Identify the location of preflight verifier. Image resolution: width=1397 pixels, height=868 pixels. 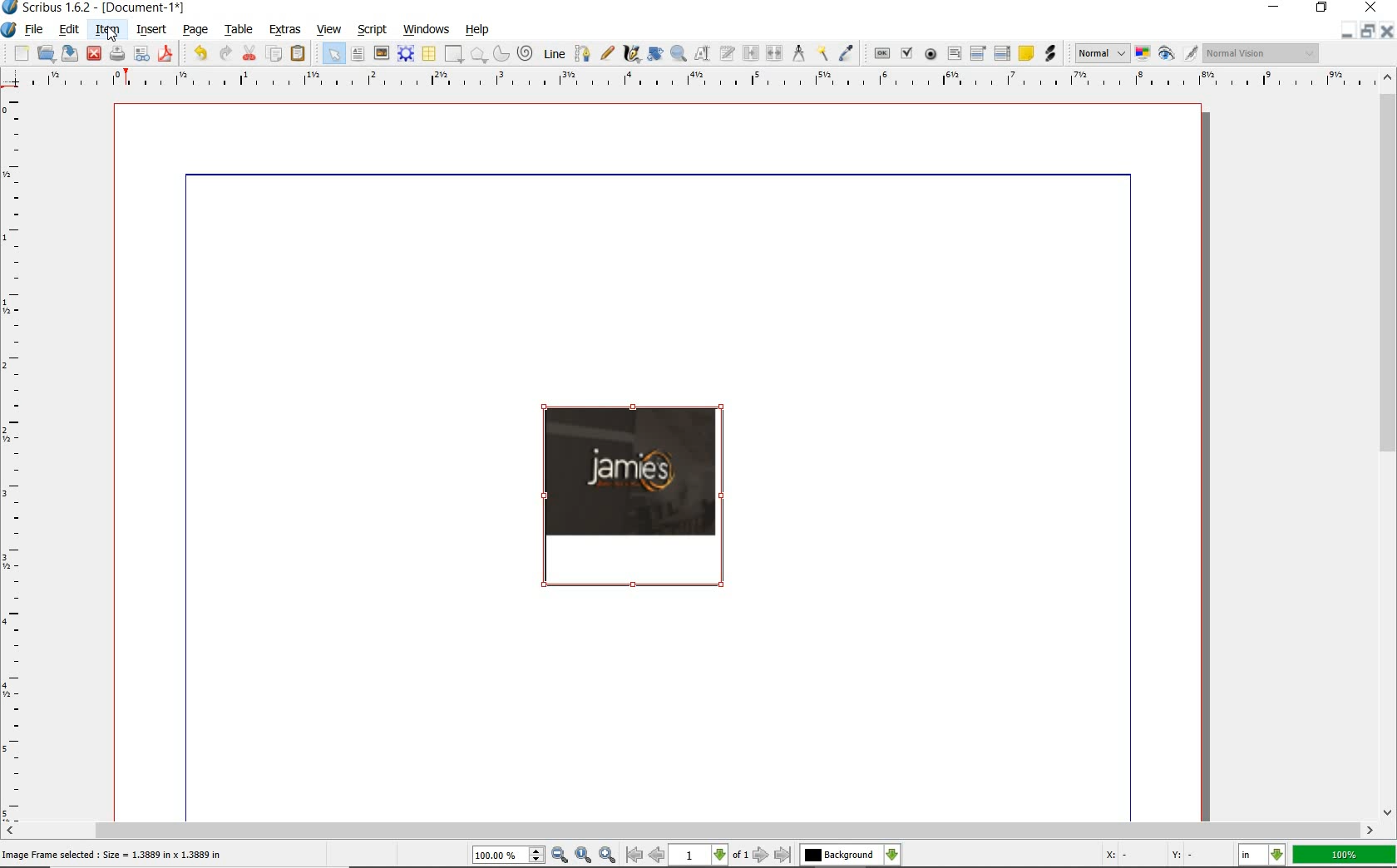
(141, 55).